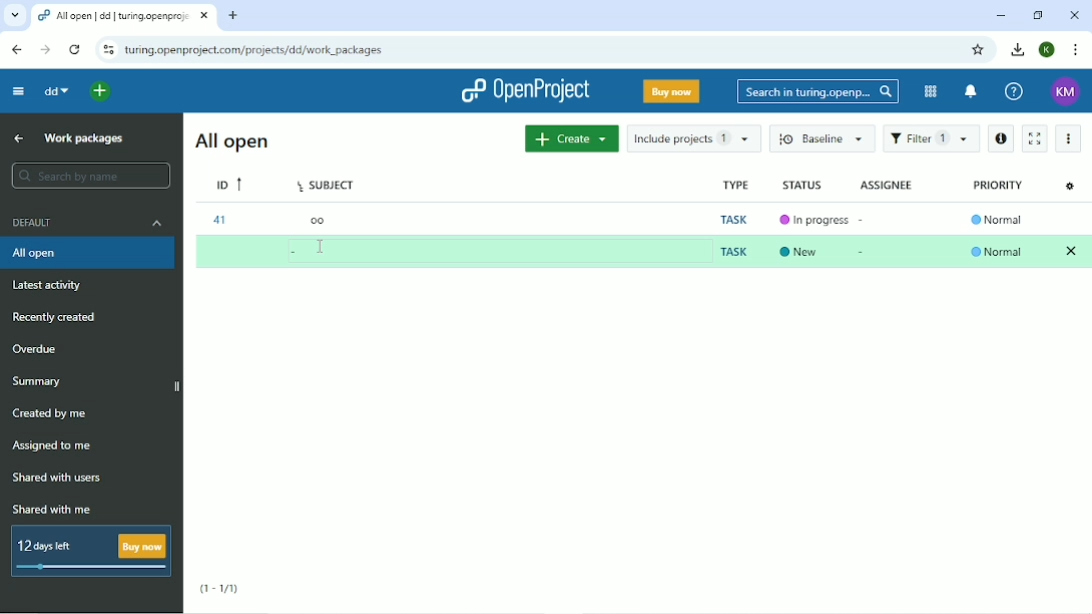 The image size is (1092, 614). I want to click on Search tabs, so click(14, 15).